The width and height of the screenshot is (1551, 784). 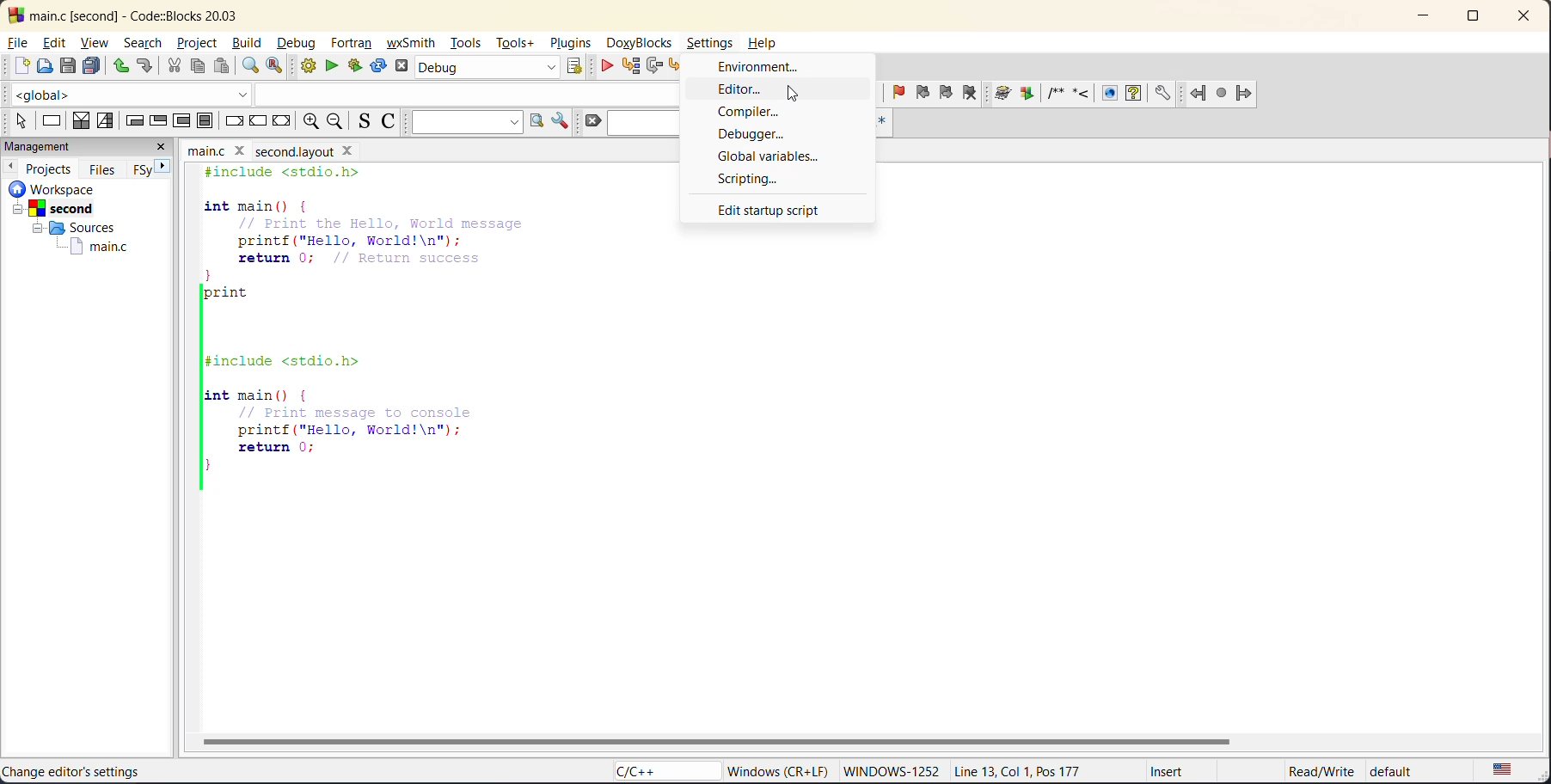 What do you see at coordinates (20, 43) in the screenshot?
I see `file` at bounding box center [20, 43].